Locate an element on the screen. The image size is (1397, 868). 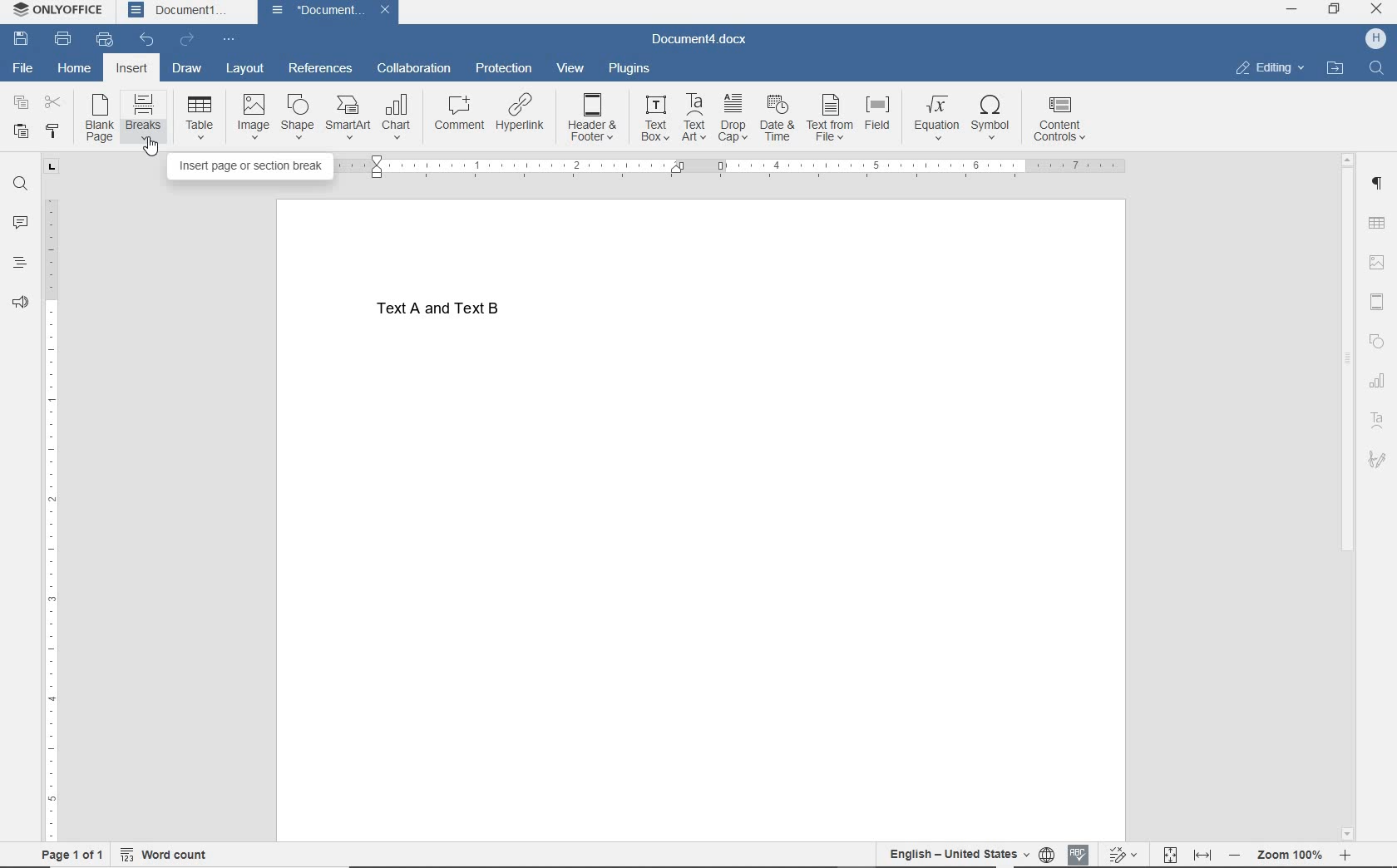
HEADER & FOOTER is located at coordinates (595, 117).